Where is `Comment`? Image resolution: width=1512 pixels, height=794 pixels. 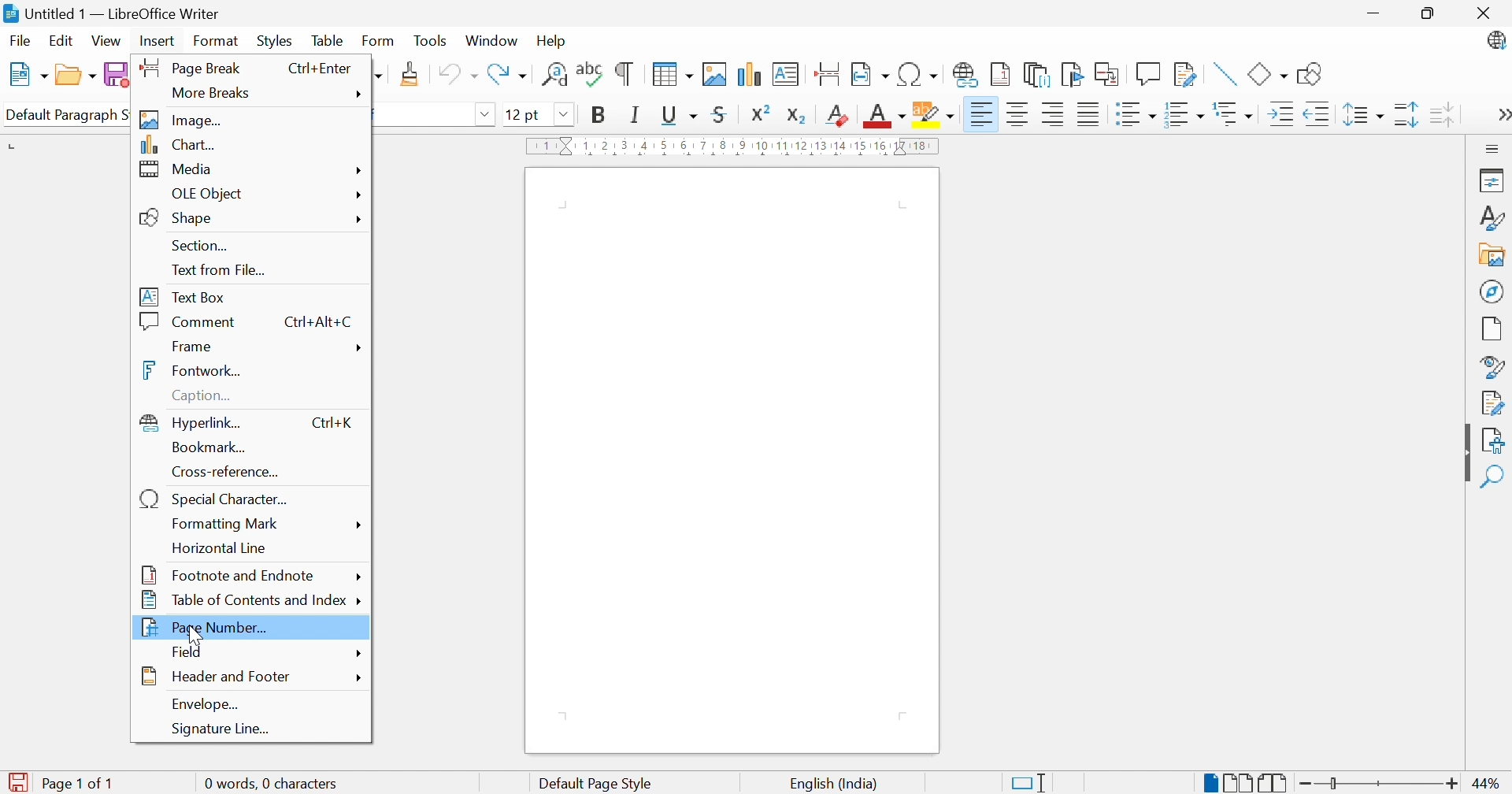 Comment is located at coordinates (190, 321).